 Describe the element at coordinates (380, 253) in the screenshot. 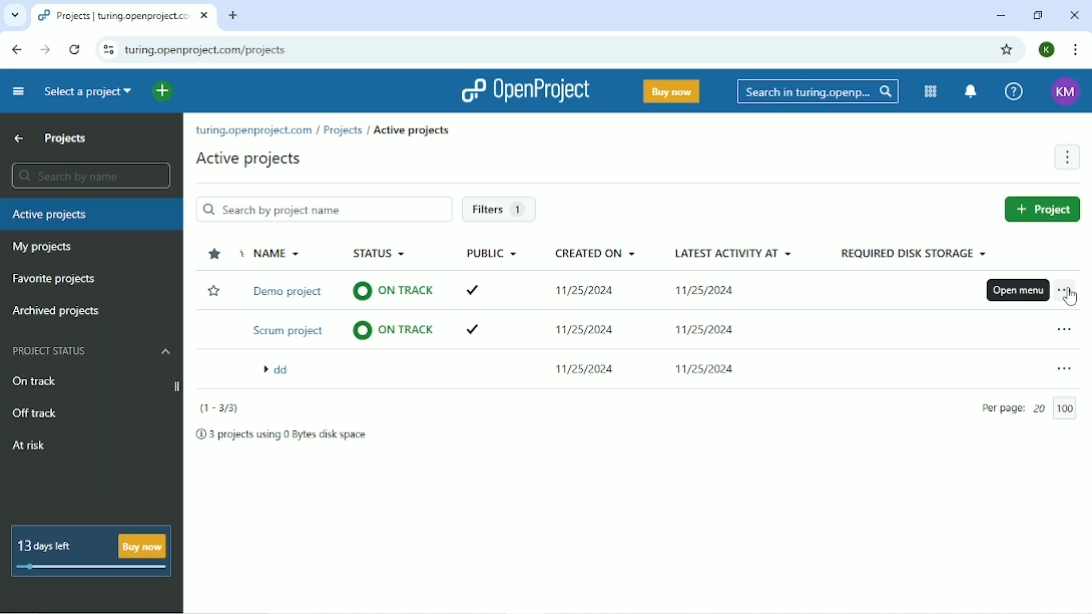

I see `Status` at that location.